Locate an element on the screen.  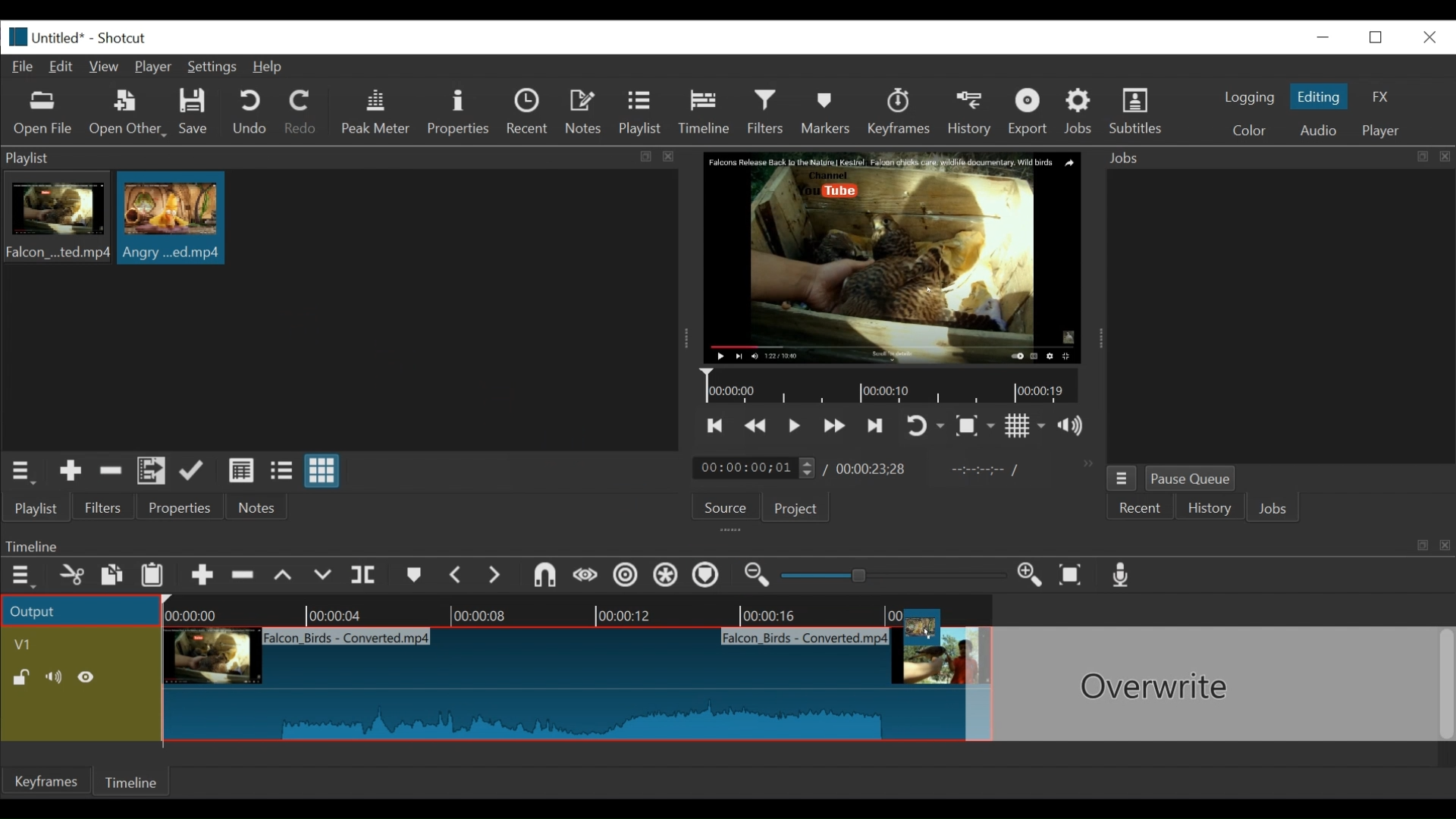
Open file is located at coordinates (43, 114).